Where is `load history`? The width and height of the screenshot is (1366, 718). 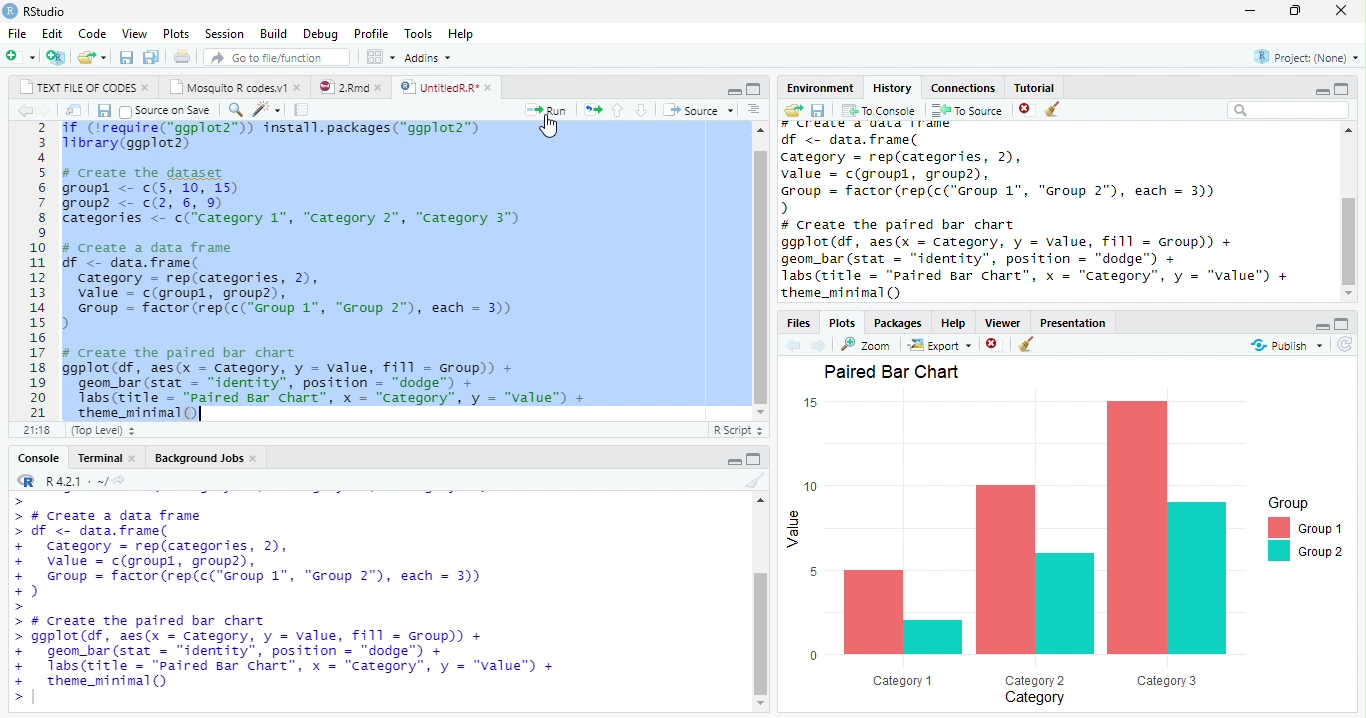
load history is located at coordinates (792, 108).